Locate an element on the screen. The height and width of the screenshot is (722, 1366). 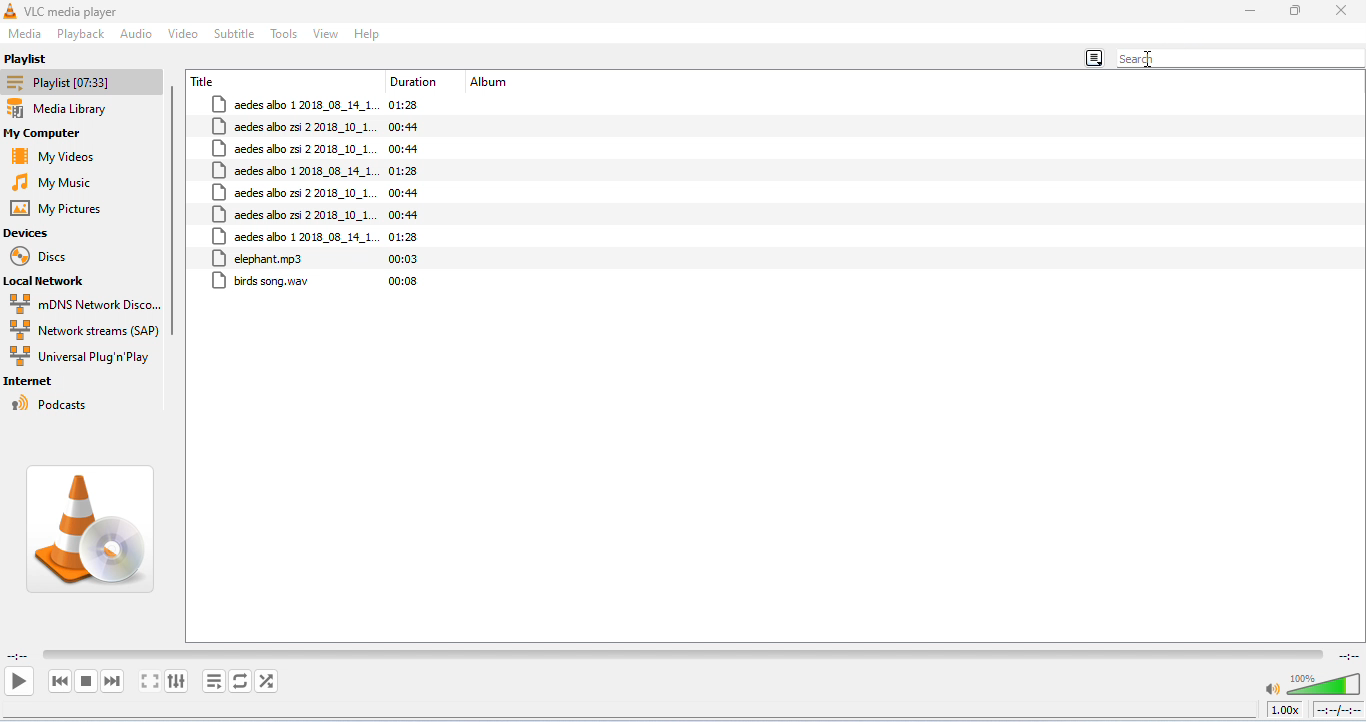
aedes albo 1 2018_08_14_1 is located at coordinates (293, 236).